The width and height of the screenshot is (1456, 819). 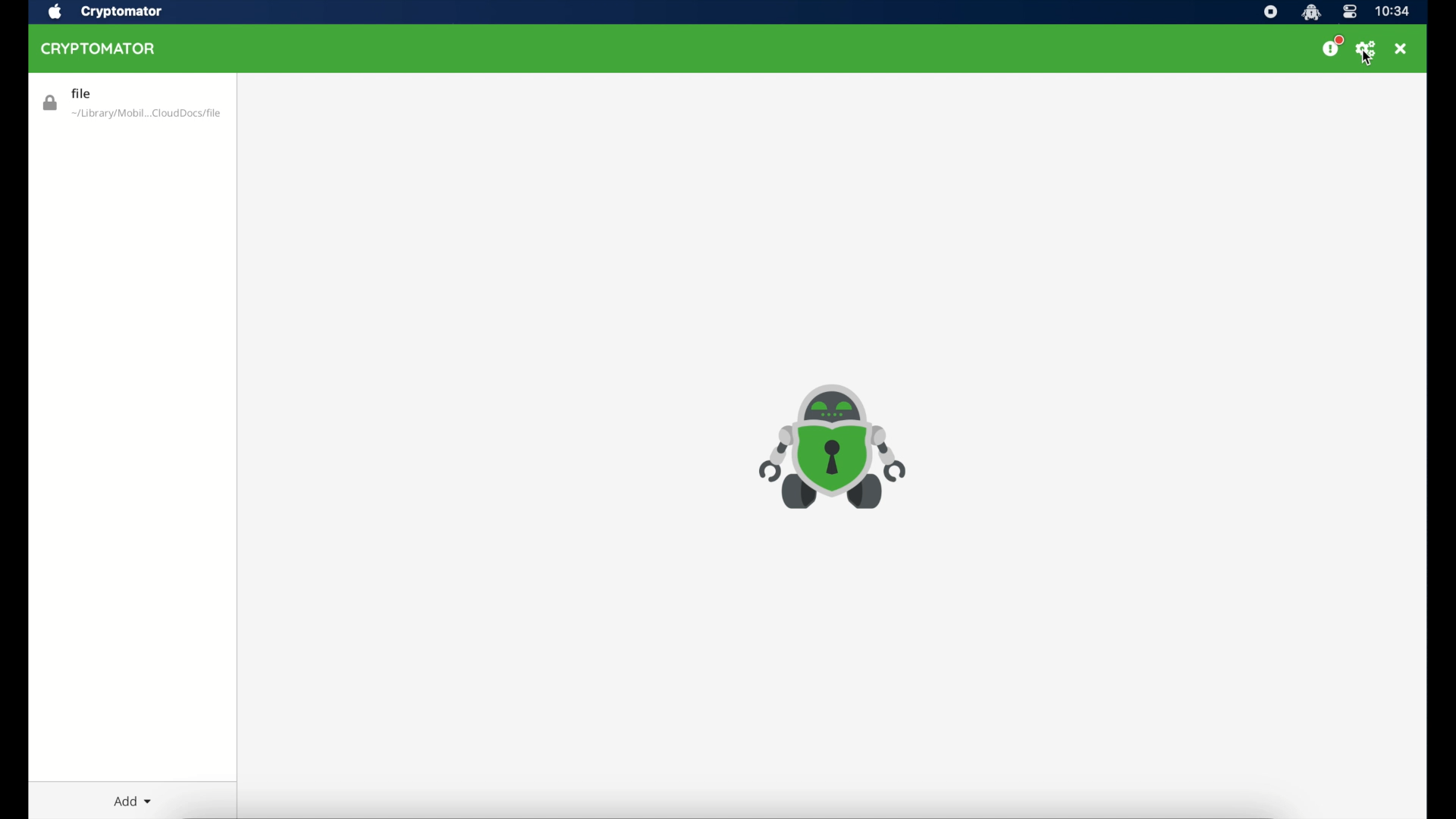 What do you see at coordinates (133, 801) in the screenshot?
I see `add dropdown` at bounding box center [133, 801].